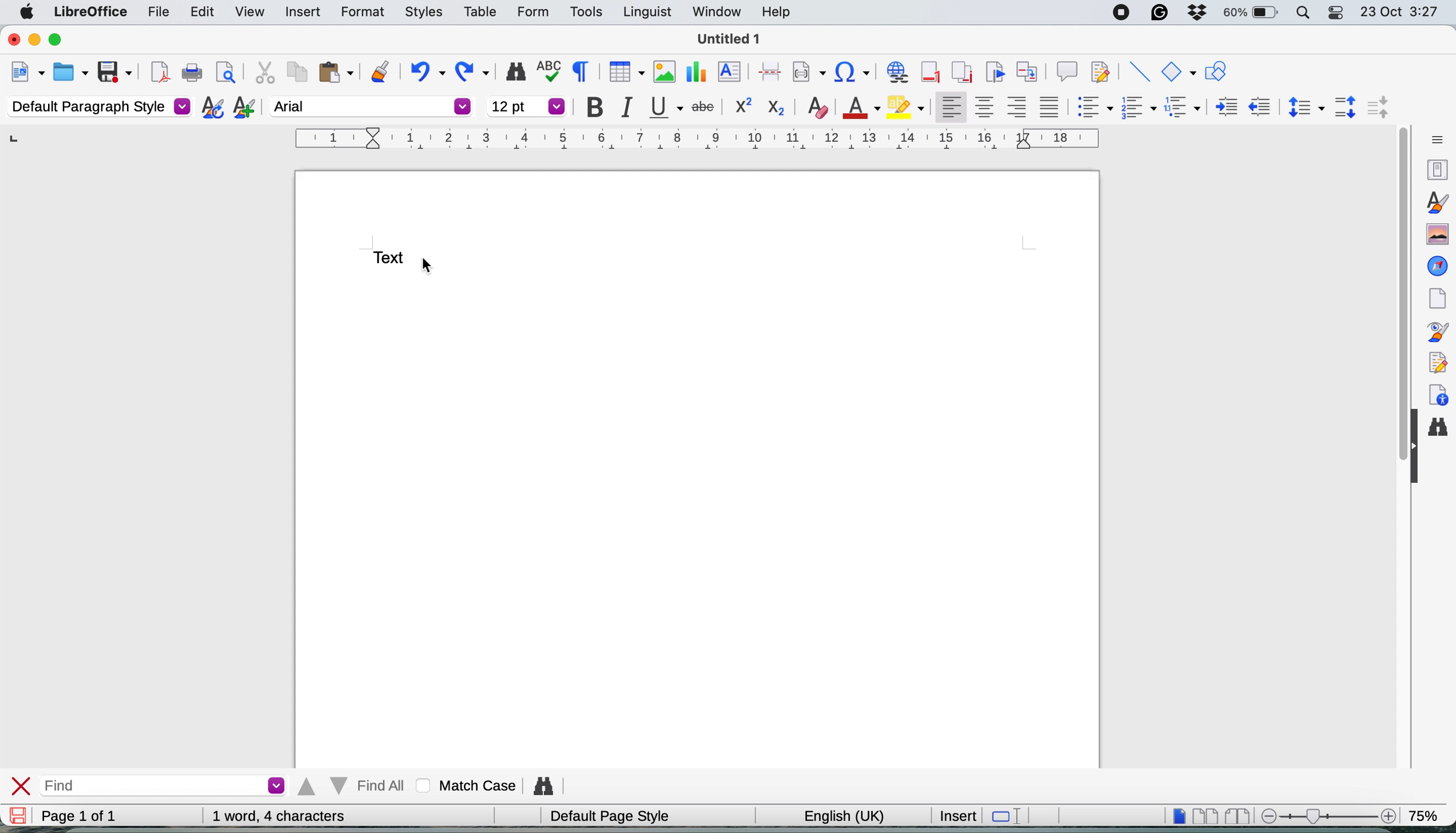  What do you see at coordinates (430, 266) in the screenshot?
I see `cursor` at bounding box center [430, 266].